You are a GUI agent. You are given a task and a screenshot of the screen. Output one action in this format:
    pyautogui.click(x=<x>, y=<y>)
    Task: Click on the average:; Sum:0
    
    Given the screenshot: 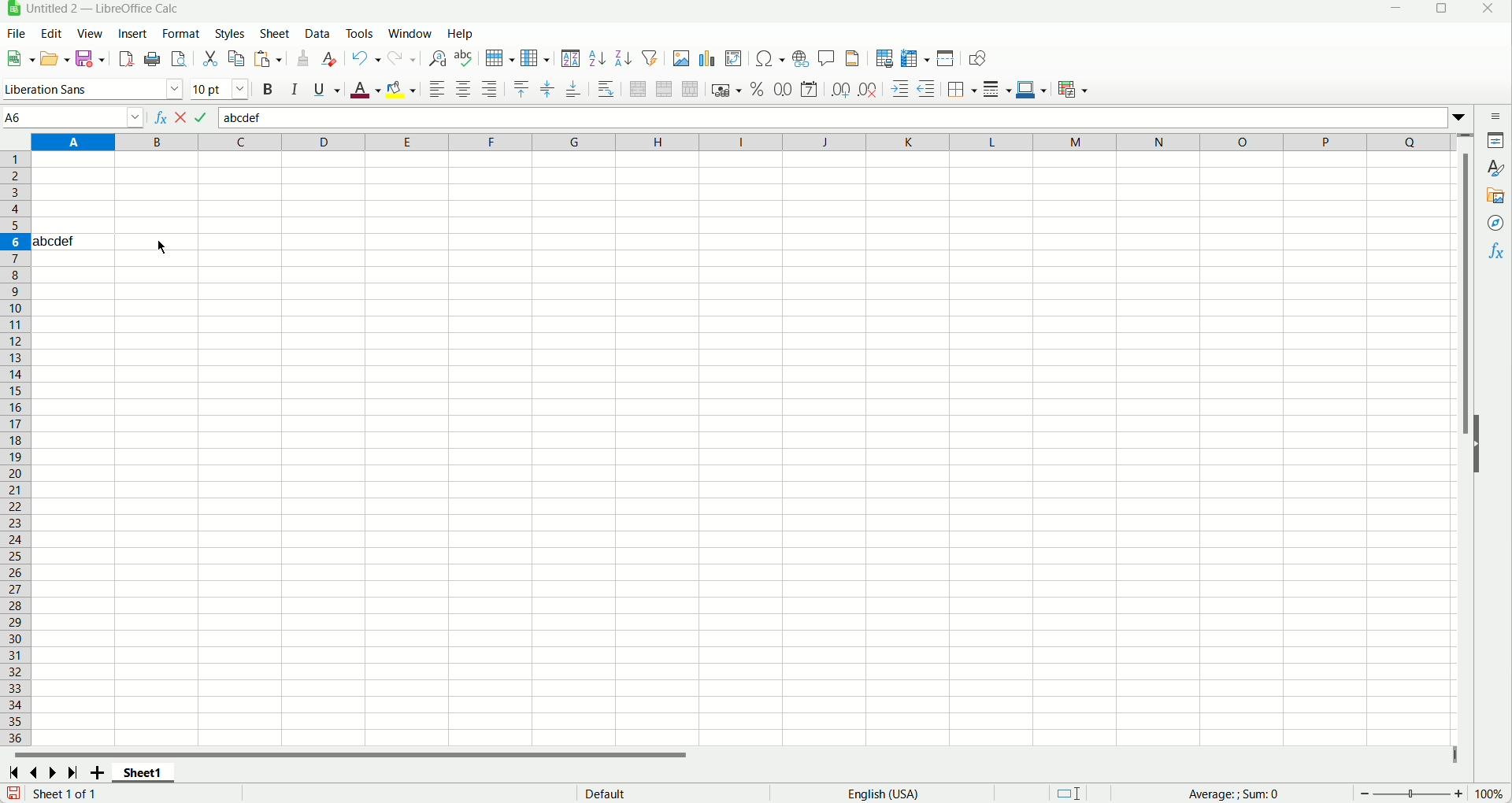 What is the action you would take?
    pyautogui.click(x=1235, y=794)
    